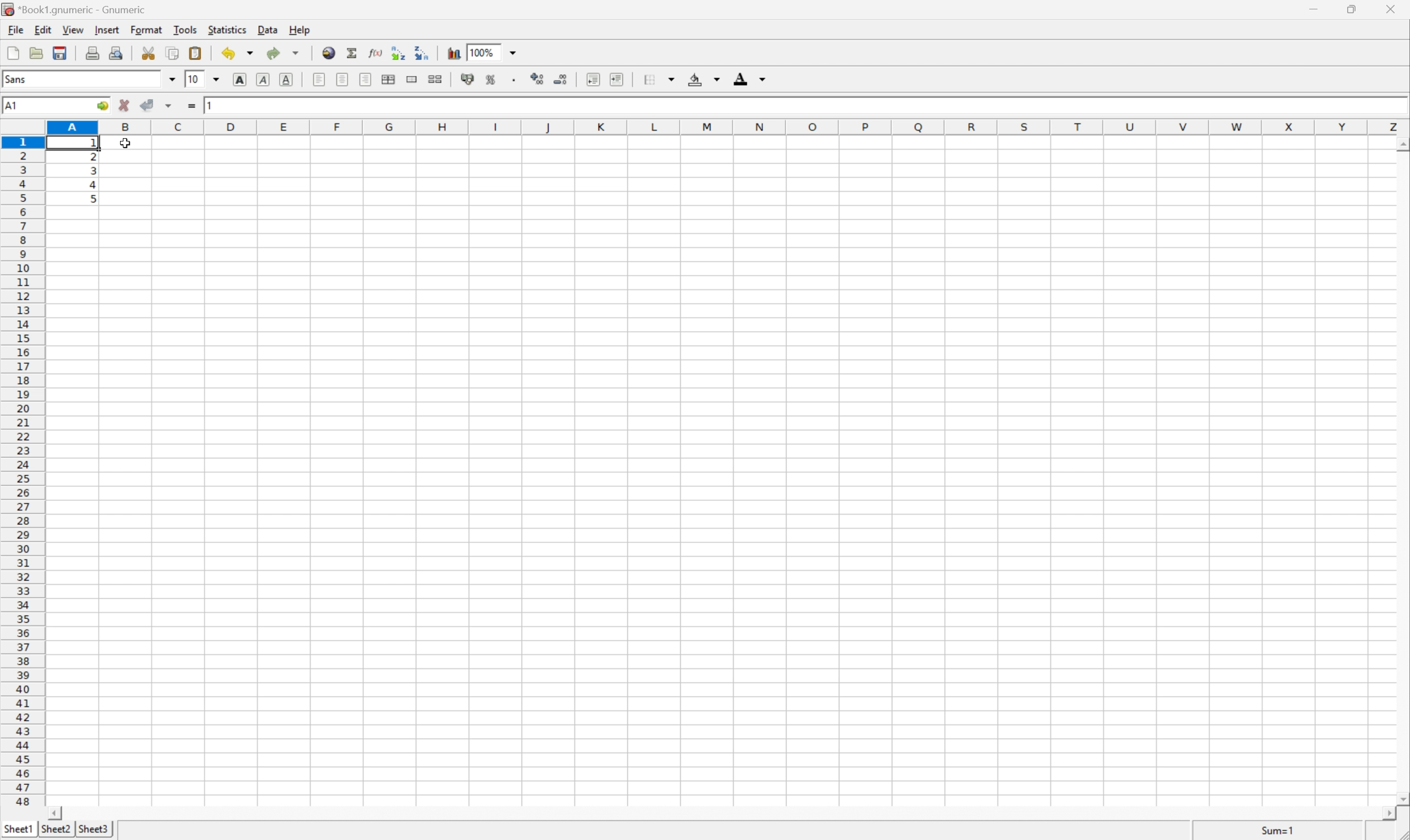 Image resolution: width=1410 pixels, height=840 pixels. What do you see at coordinates (484, 52) in the screenshot?
I see `100%` at bounding box center [484, 52].